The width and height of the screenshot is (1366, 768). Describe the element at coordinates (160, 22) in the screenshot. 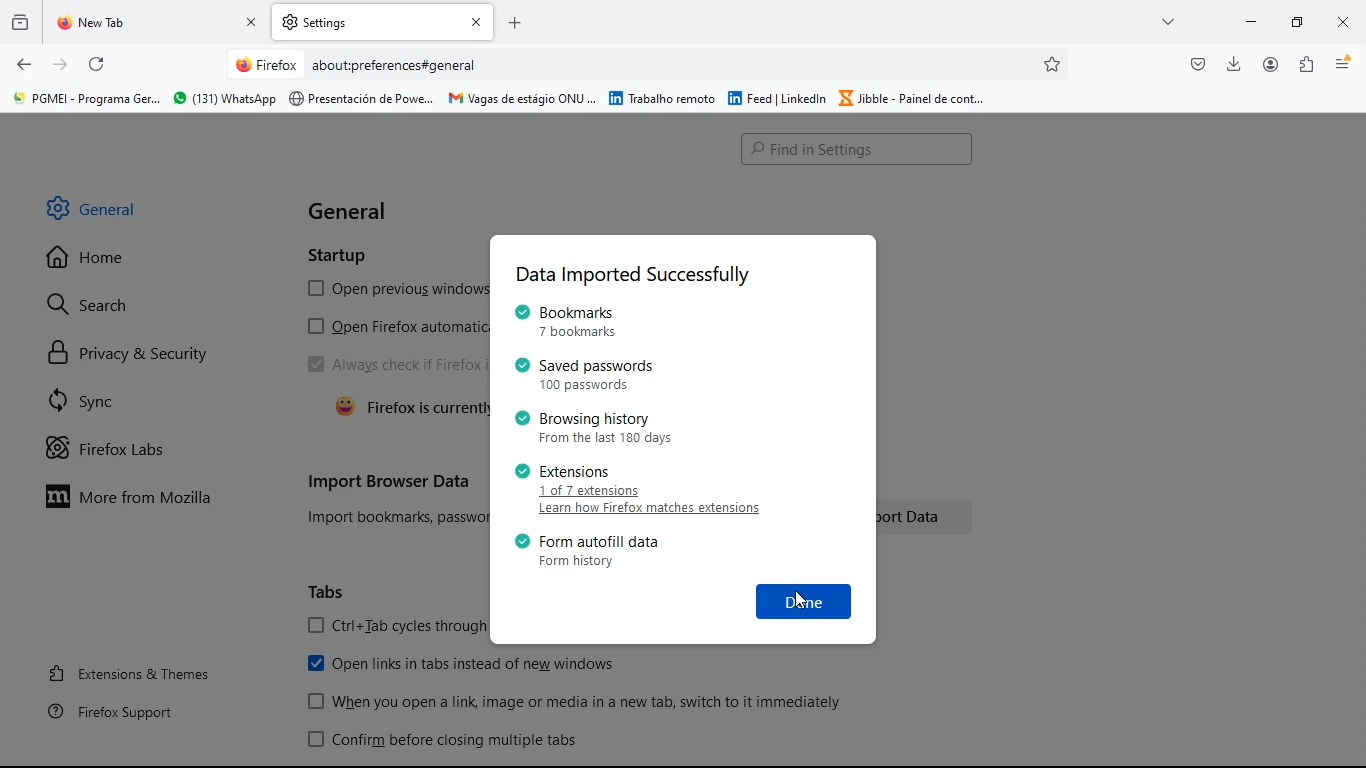

I see `tab` at that location.